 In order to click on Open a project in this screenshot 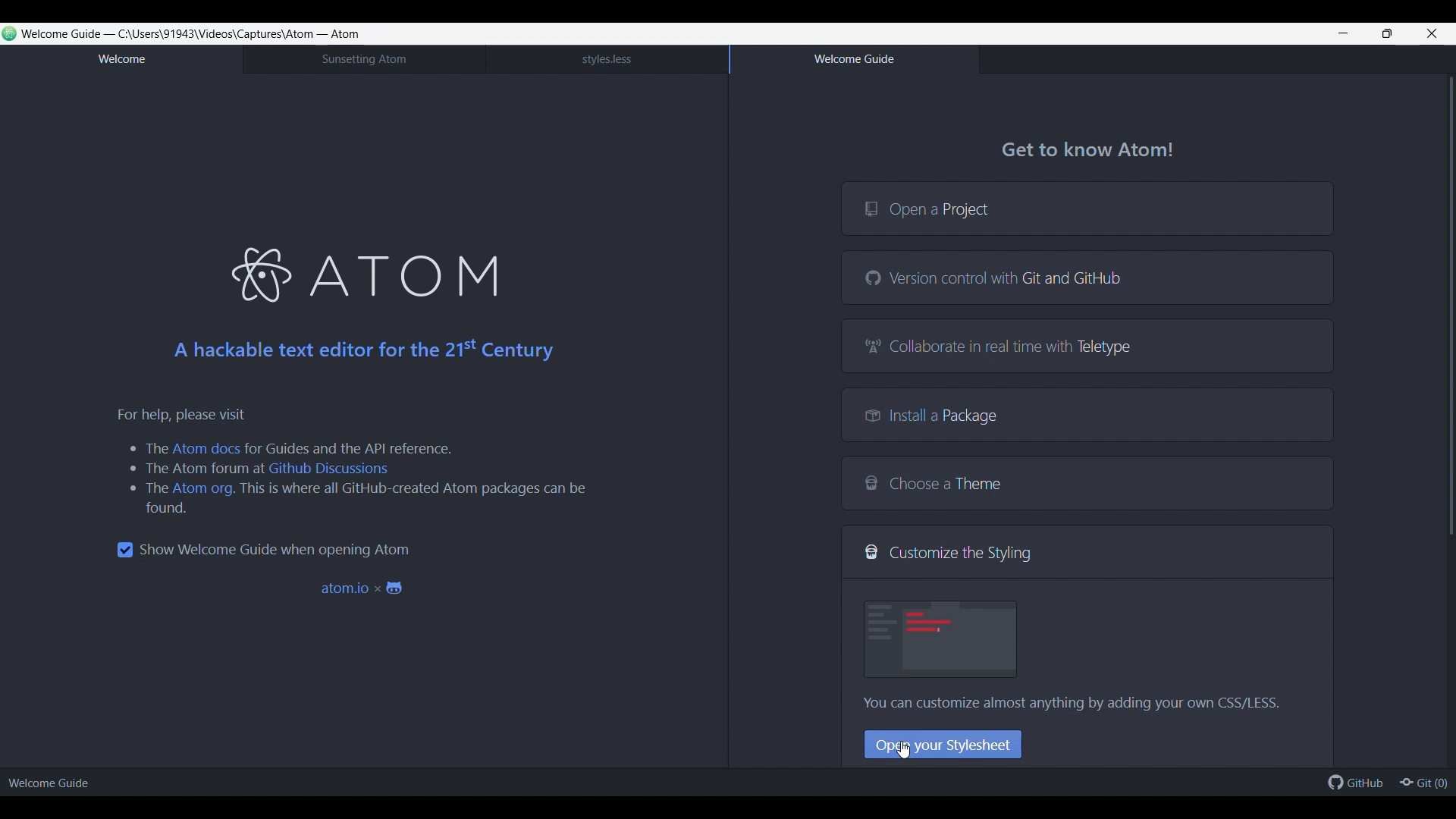, I will do `click(1087, 208)`.